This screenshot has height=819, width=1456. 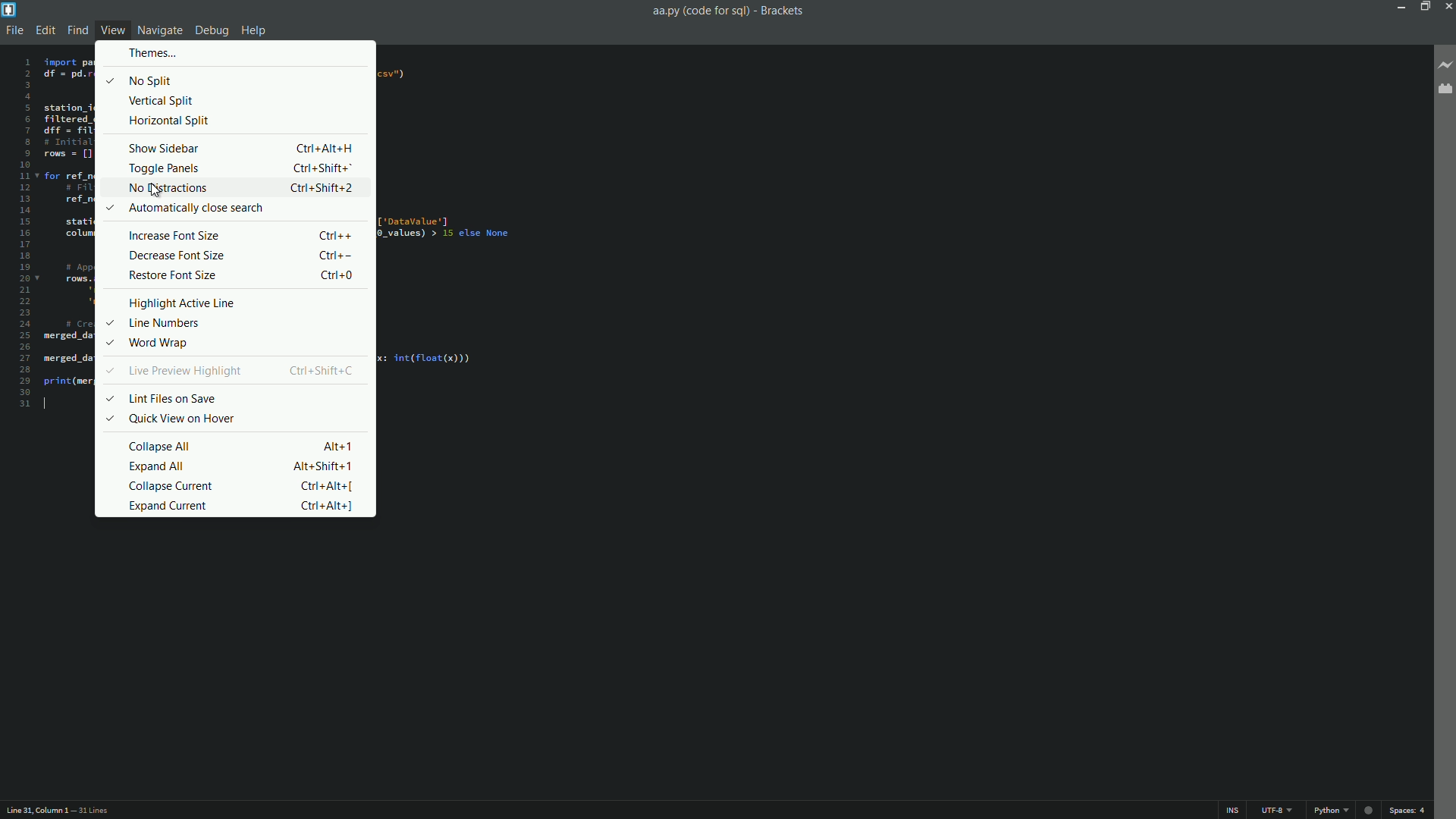 What do you see at coordinates (243, 322) in the screenshot?
I see `line numbers` at bounding box center [243, 322].